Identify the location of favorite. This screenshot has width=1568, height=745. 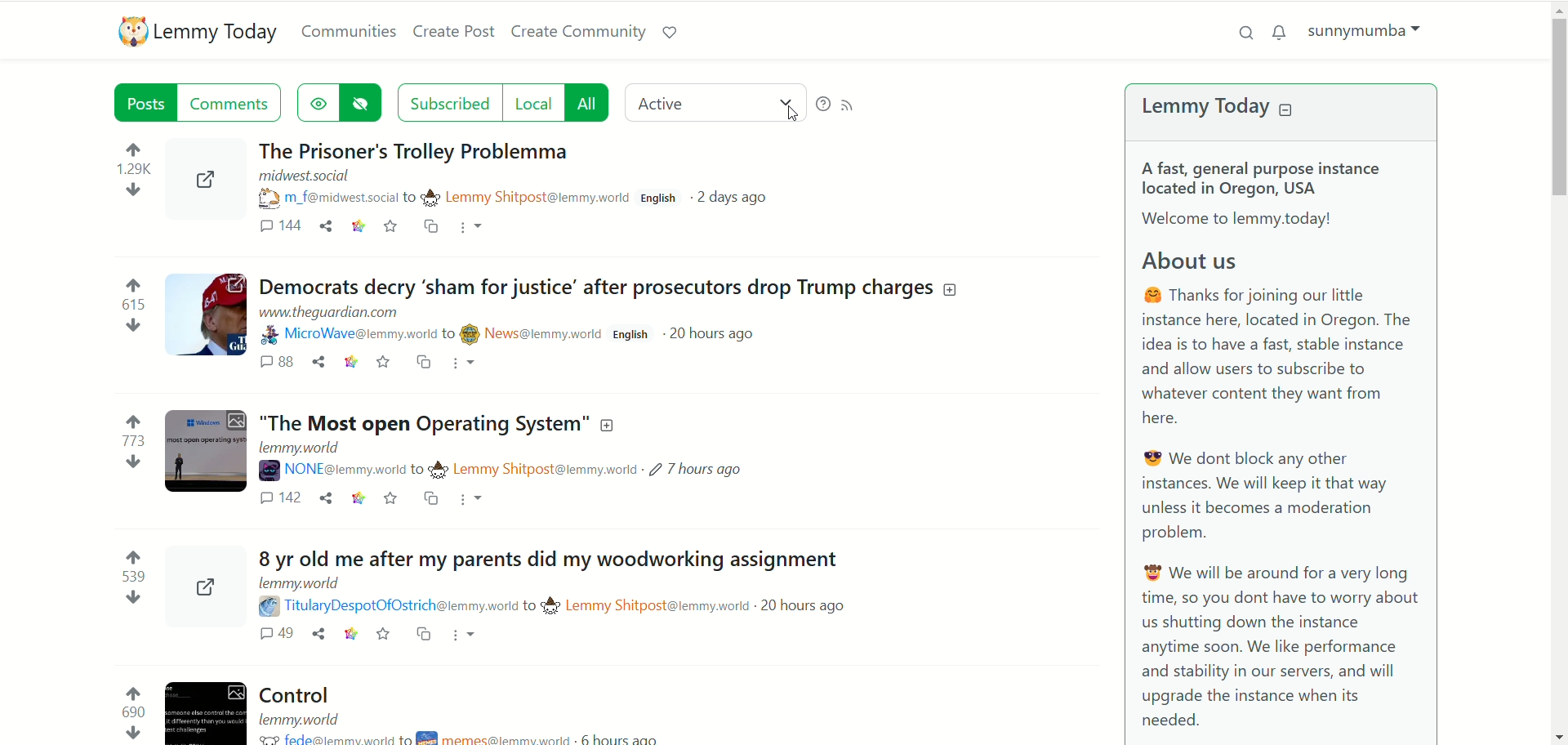
(381, 636).